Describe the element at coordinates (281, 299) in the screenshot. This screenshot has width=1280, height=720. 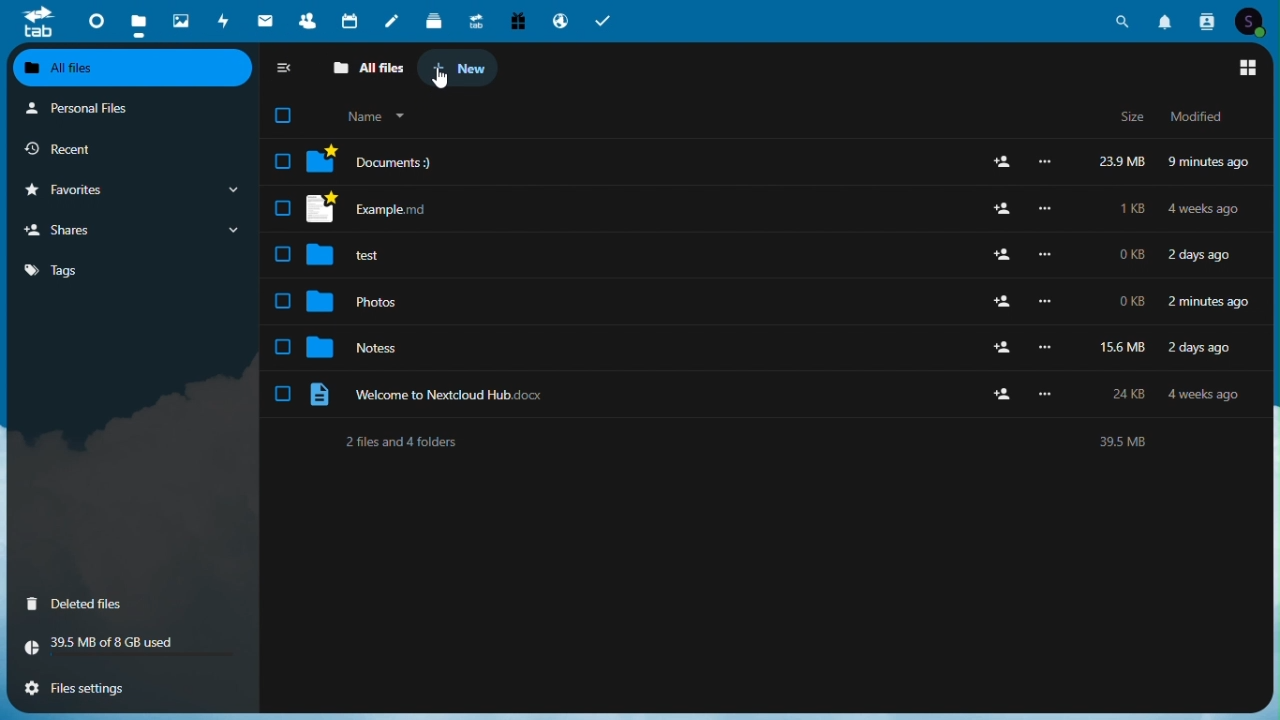
I see `select` at that location.